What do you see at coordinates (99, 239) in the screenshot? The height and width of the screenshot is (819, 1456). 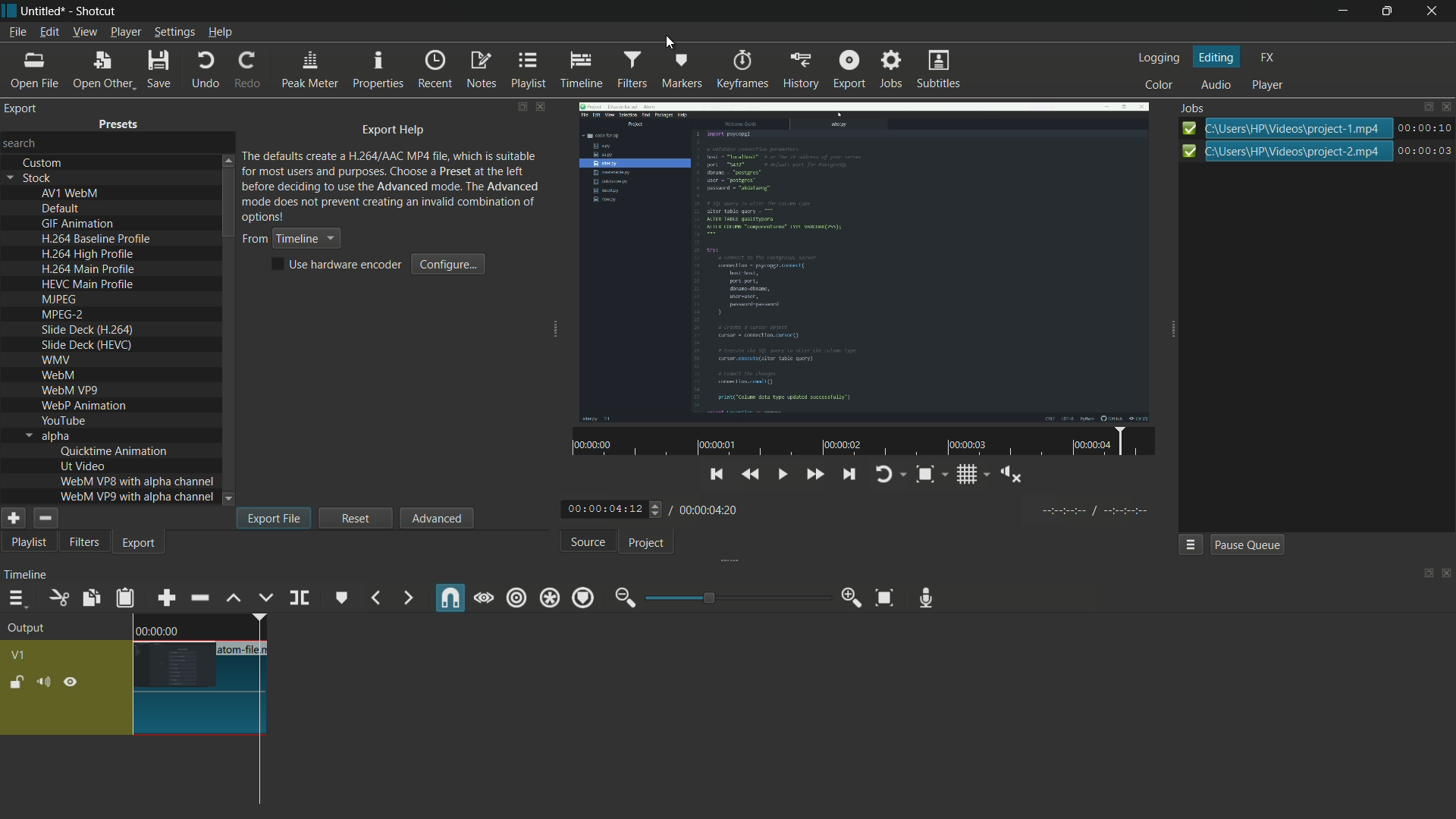 I see `h.264 baseline profile` at bounding box center [99, 239].